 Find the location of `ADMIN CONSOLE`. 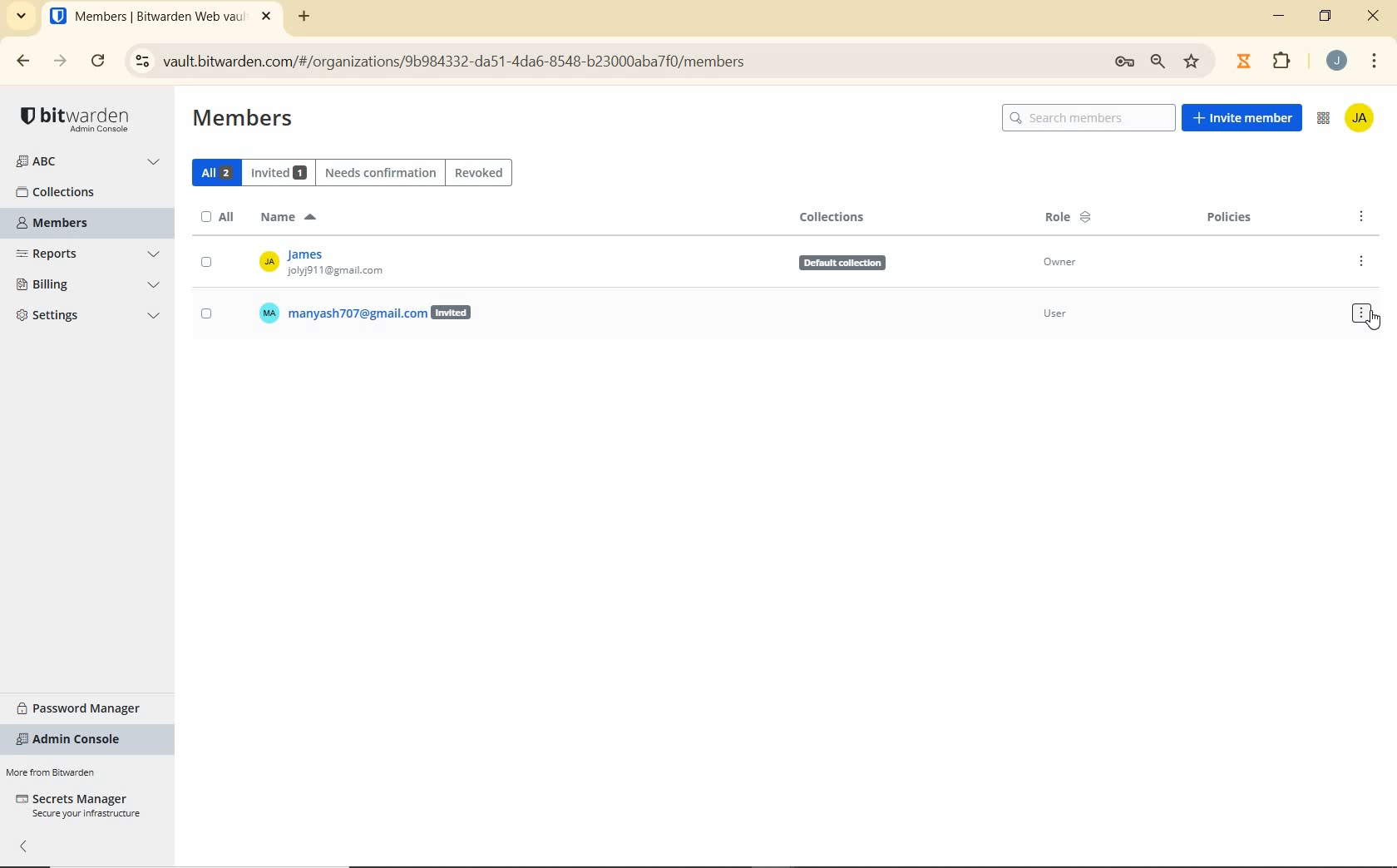

ADMIN CONSOLE is located at coordinates (74, 740).